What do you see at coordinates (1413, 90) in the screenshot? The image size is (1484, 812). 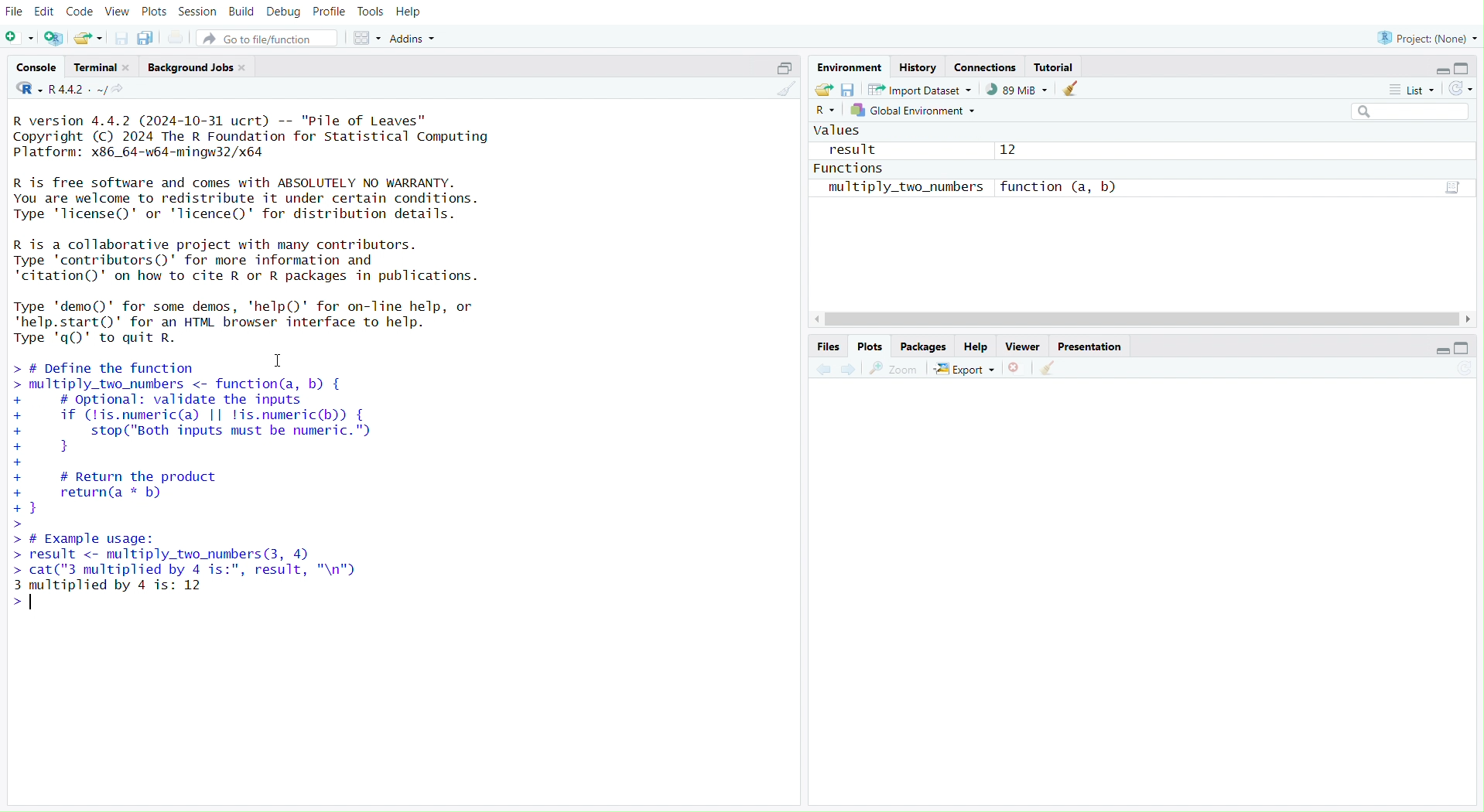 I see `List` at bounding box center [1413, 90].